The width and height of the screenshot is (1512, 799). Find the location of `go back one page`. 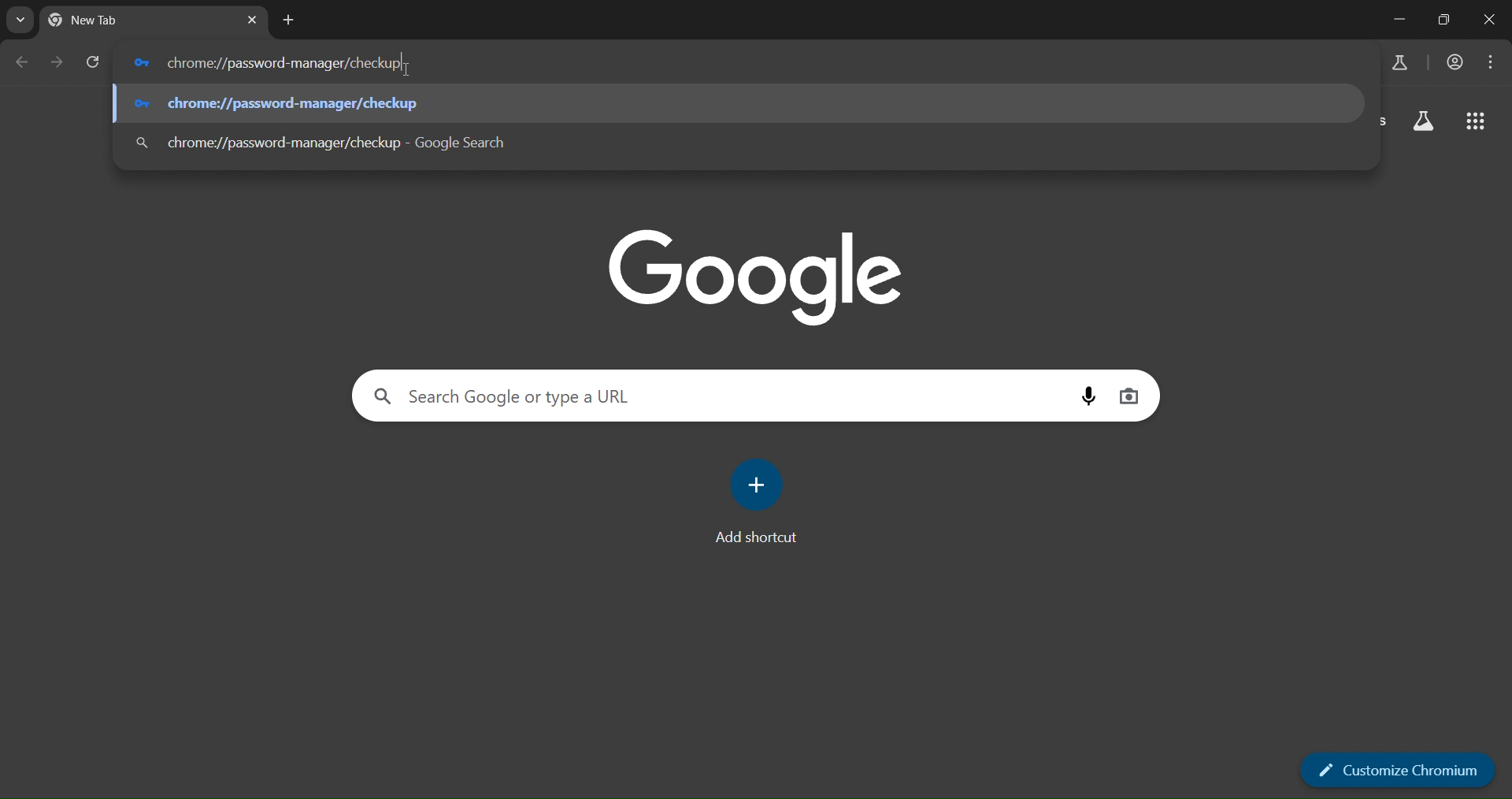

go back one page is located at coordinates (20, 62).